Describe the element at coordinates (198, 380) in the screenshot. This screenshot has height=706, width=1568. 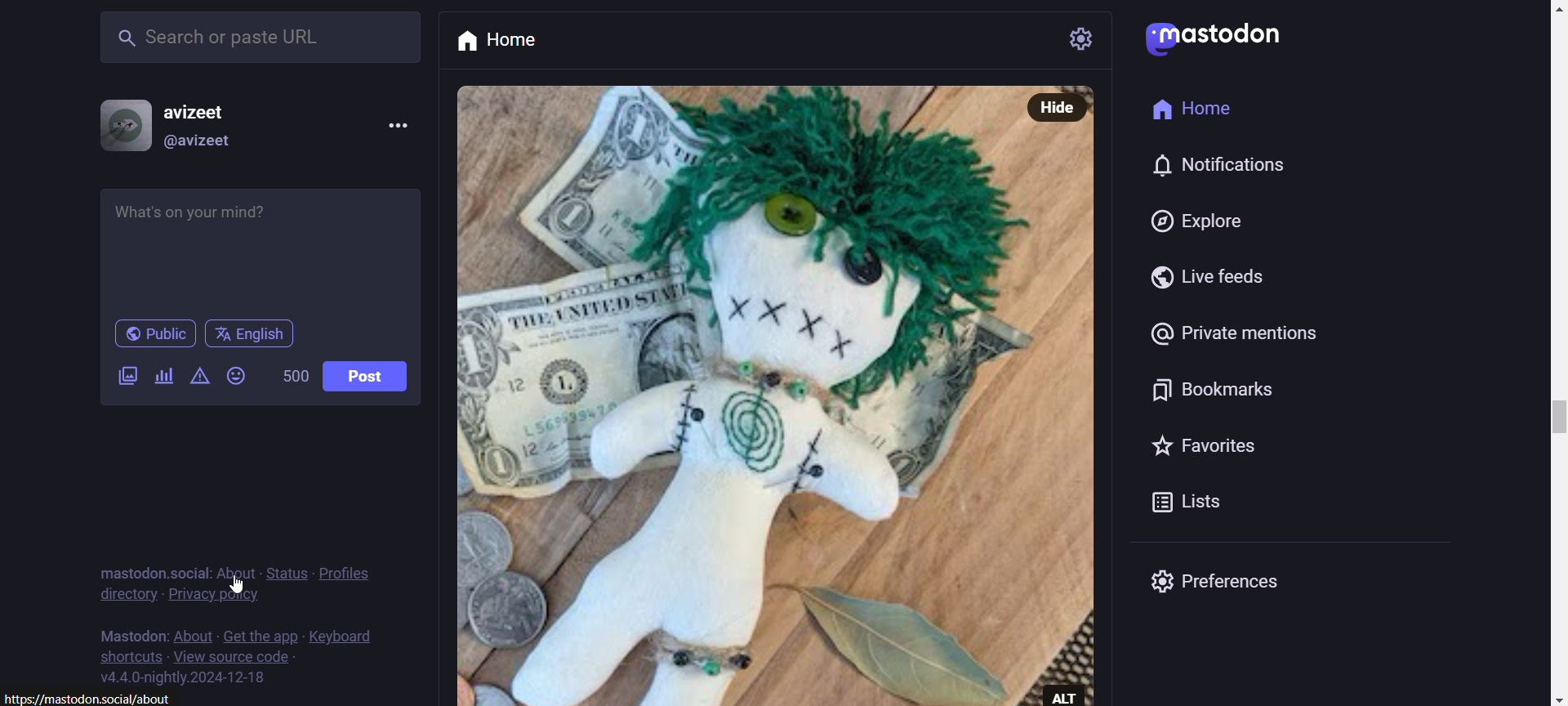
I see `add content warning` at that location.